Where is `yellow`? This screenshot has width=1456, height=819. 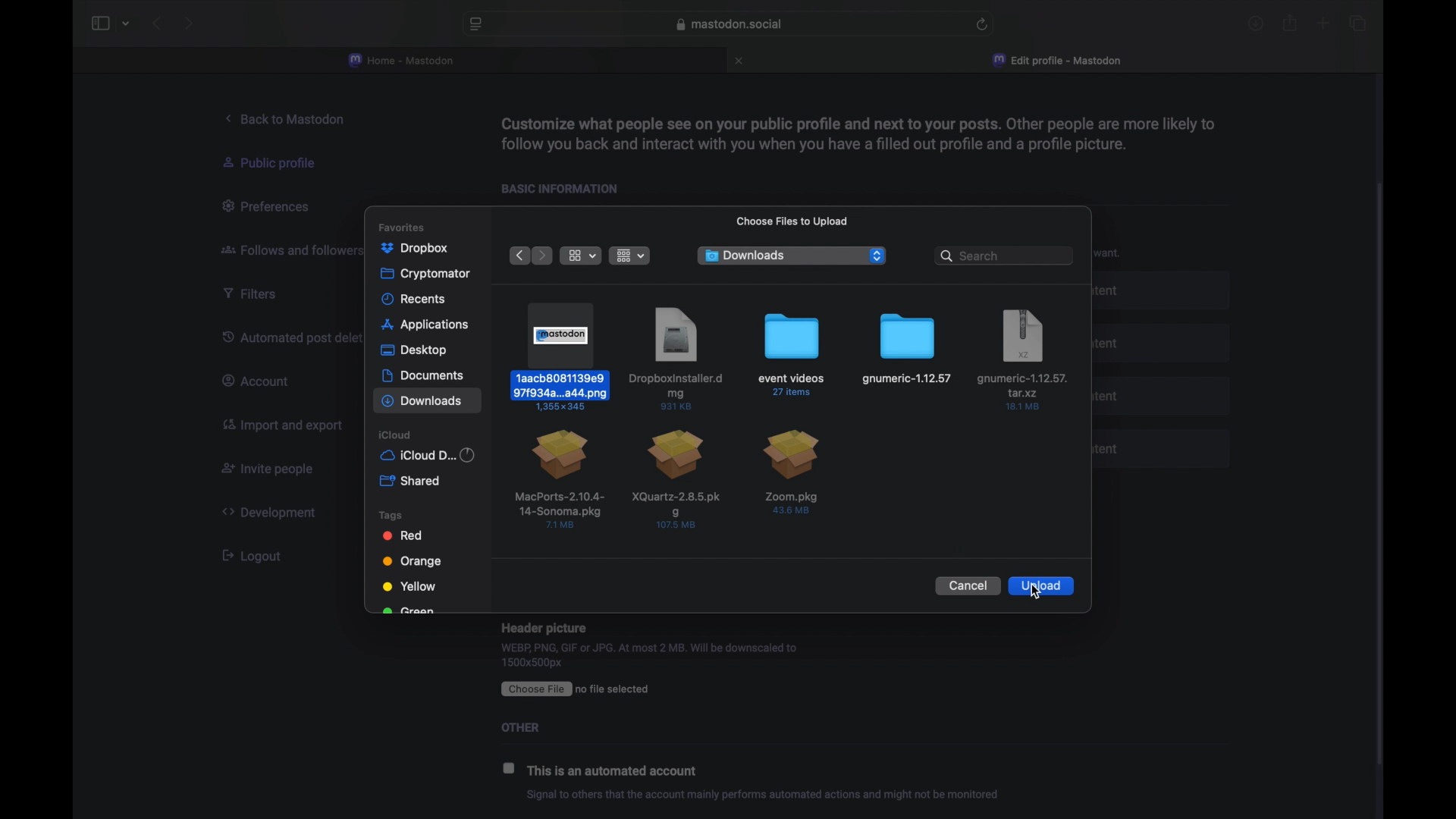 yellow is located at coordinates (409, 586).